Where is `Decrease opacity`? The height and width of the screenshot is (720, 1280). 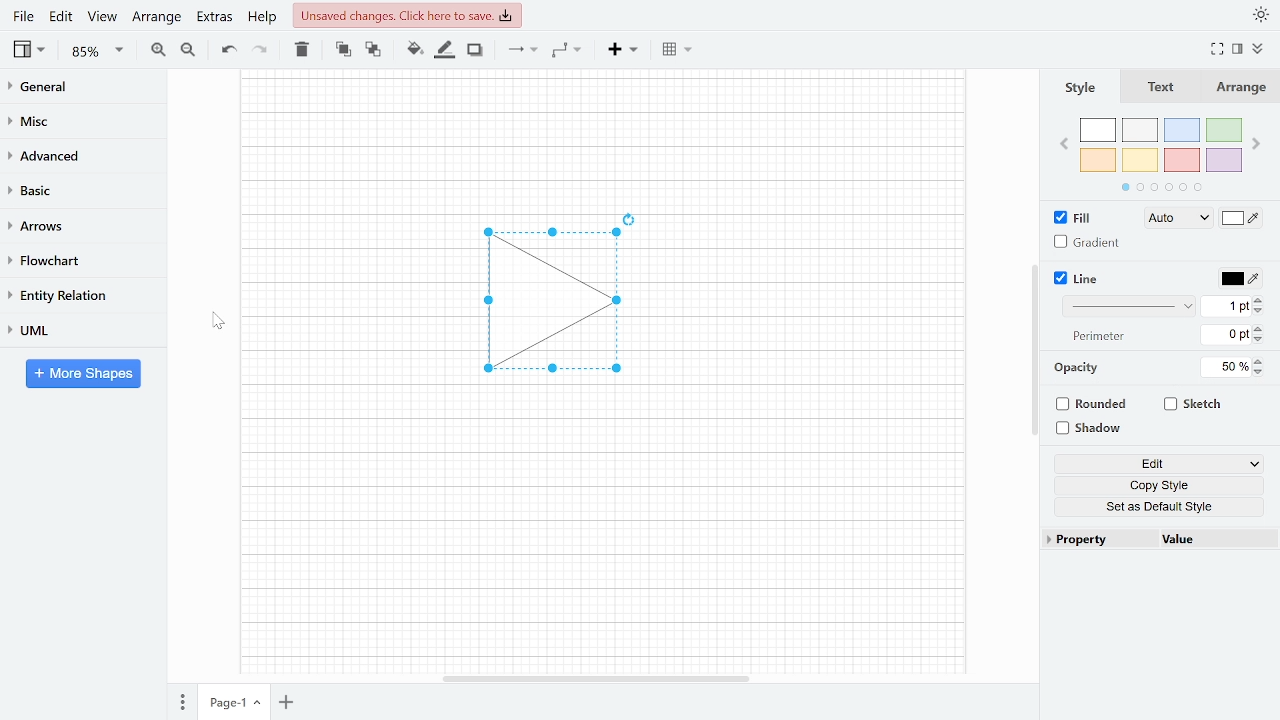
Decrease opacity is located at coordinates (1261, 372).